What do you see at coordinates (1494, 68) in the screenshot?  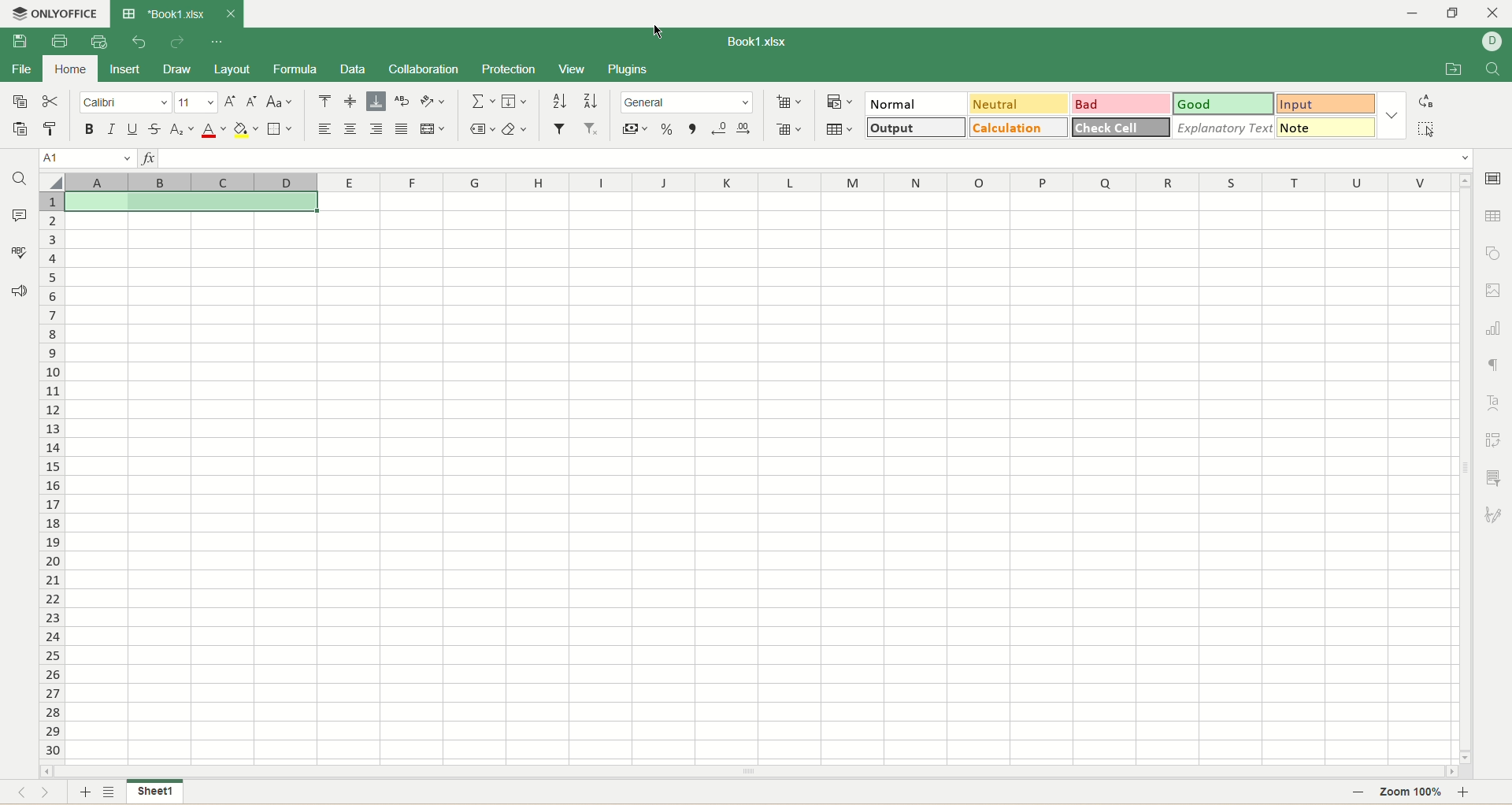 I see `find` at bounding box center [1494, 68].